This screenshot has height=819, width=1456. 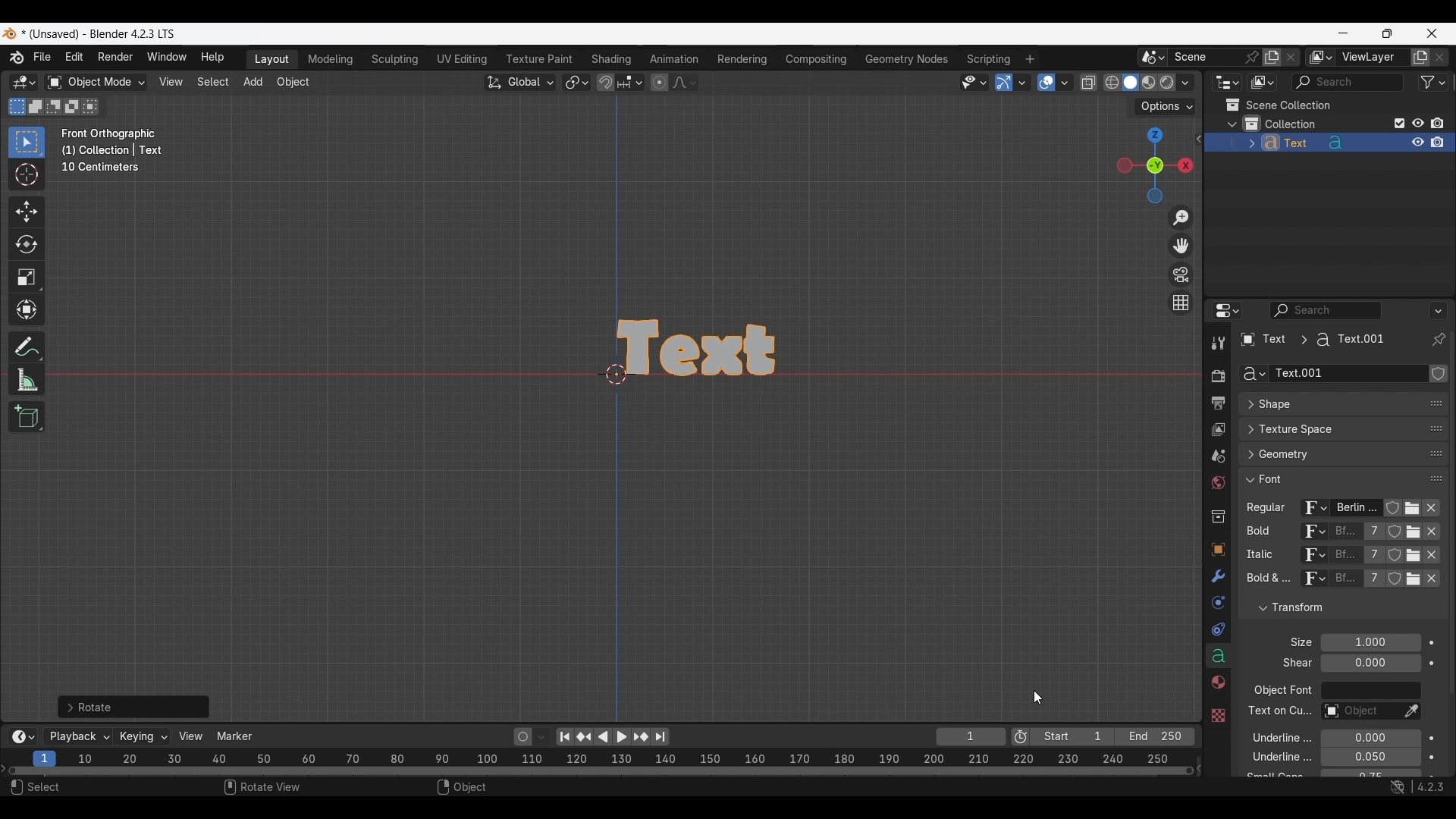 I want to click on Click to use a preset viewport, so click(x=1151, y=165).